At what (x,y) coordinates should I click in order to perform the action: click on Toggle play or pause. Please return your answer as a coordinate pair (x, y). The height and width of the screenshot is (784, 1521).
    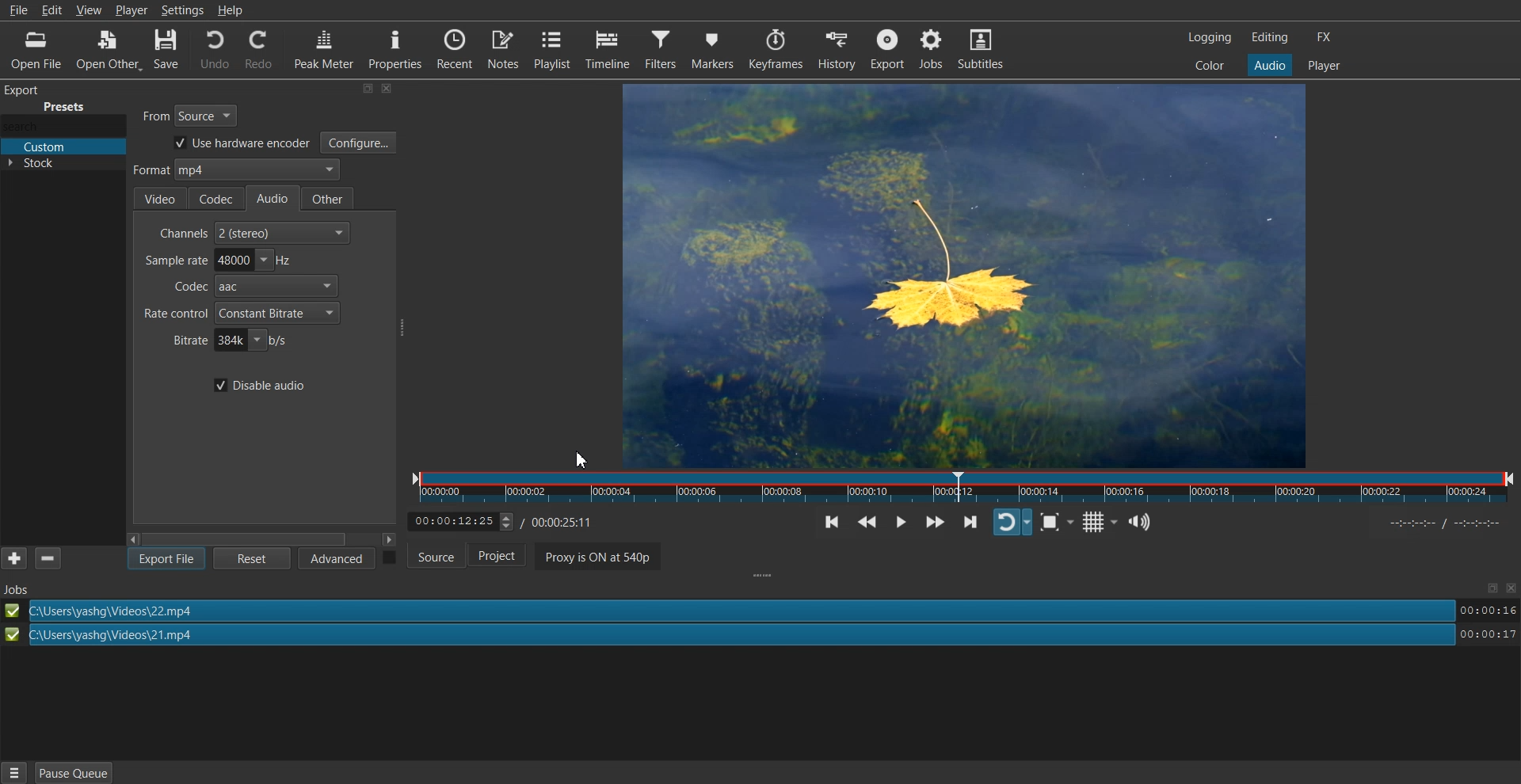
    Looking at the image, I should click on (902, 524).